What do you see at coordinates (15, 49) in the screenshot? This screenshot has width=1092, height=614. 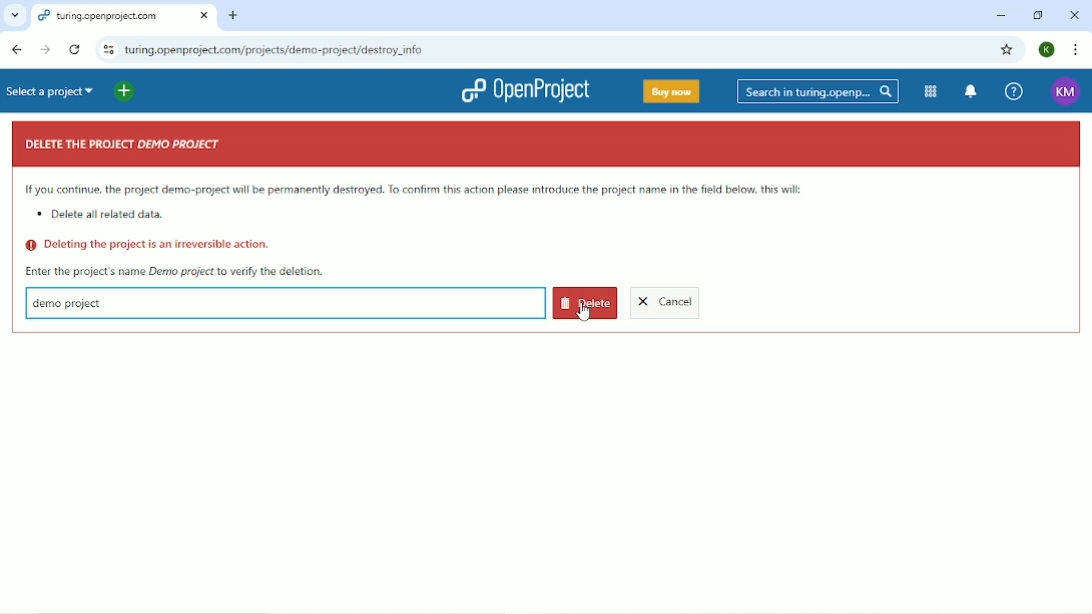 I see `Back` at bounding box center [15, 49].